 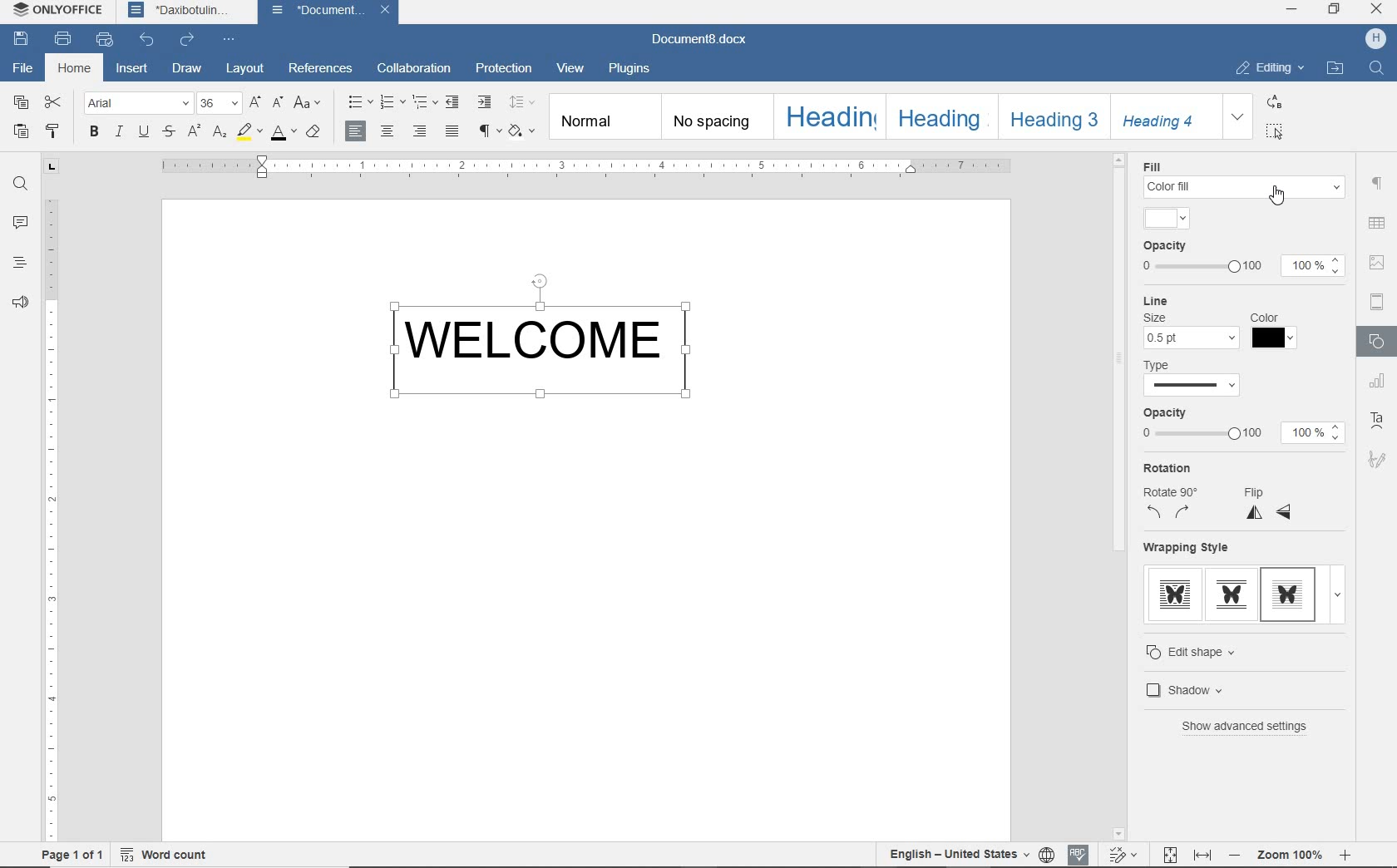 I want to click on DRAW, so click(x=186, y=70).